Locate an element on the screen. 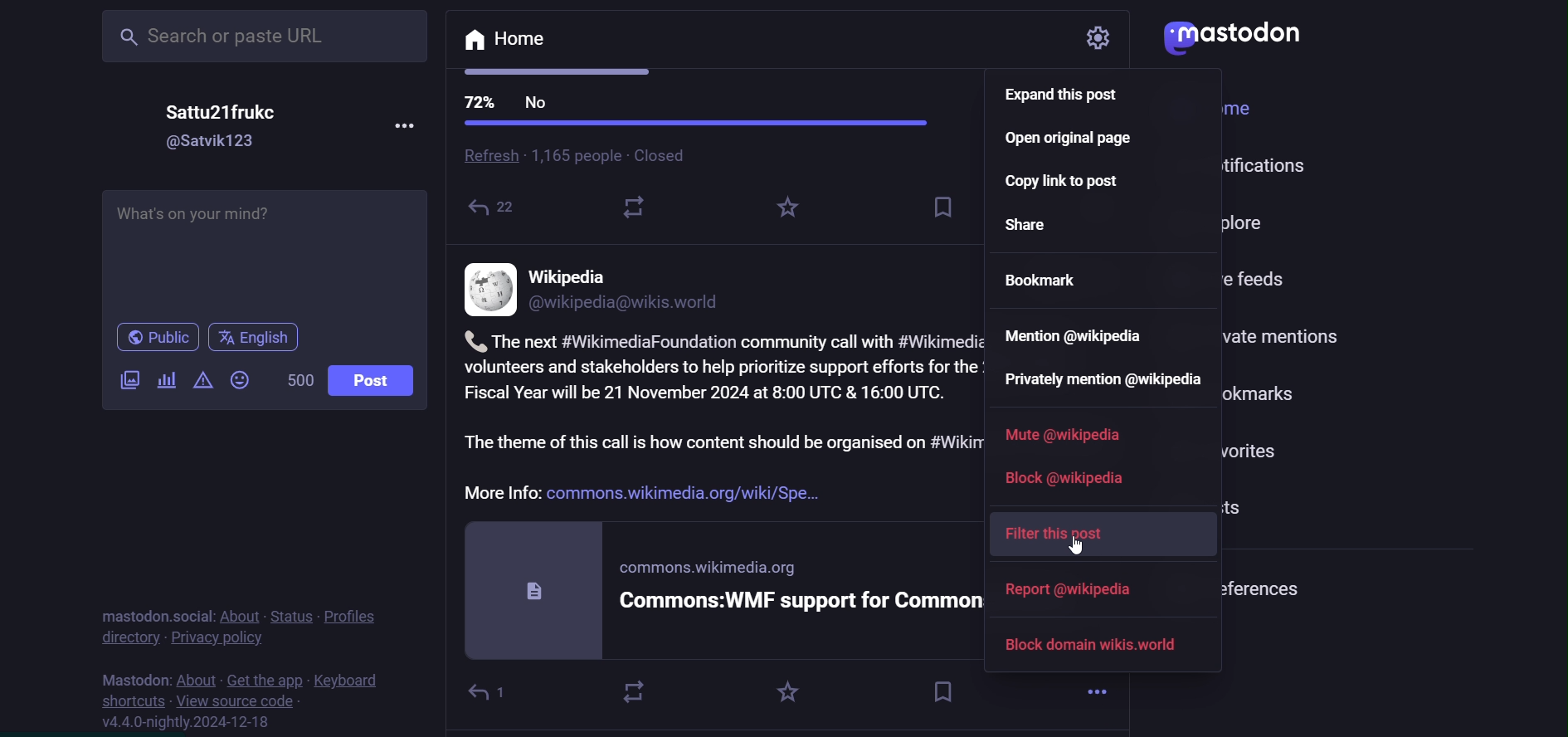 The image size is (1568, 737). search is located at coordinates (267, 34).